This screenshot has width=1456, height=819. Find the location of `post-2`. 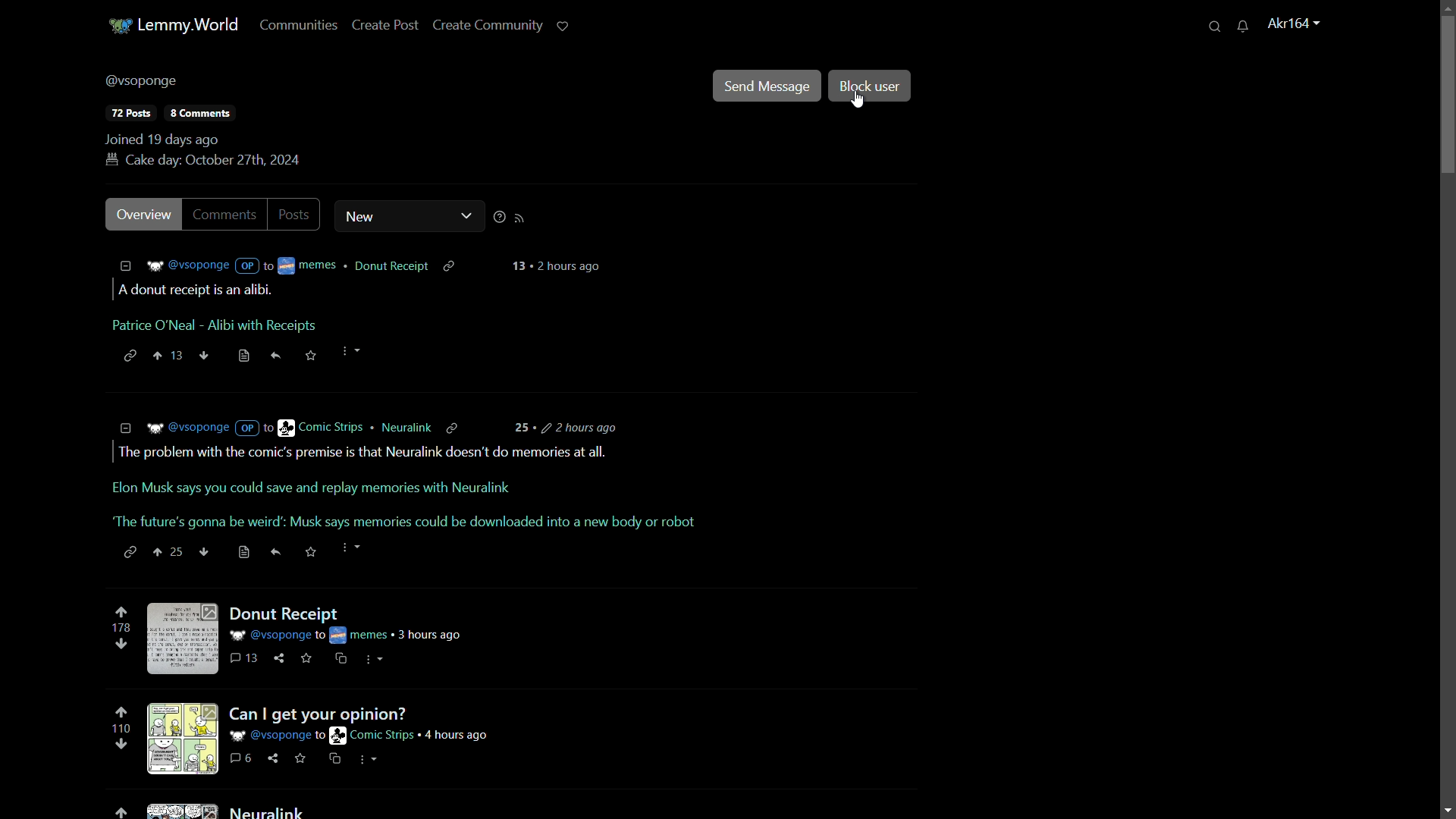

post-2 is located at coordinates (363, 725).